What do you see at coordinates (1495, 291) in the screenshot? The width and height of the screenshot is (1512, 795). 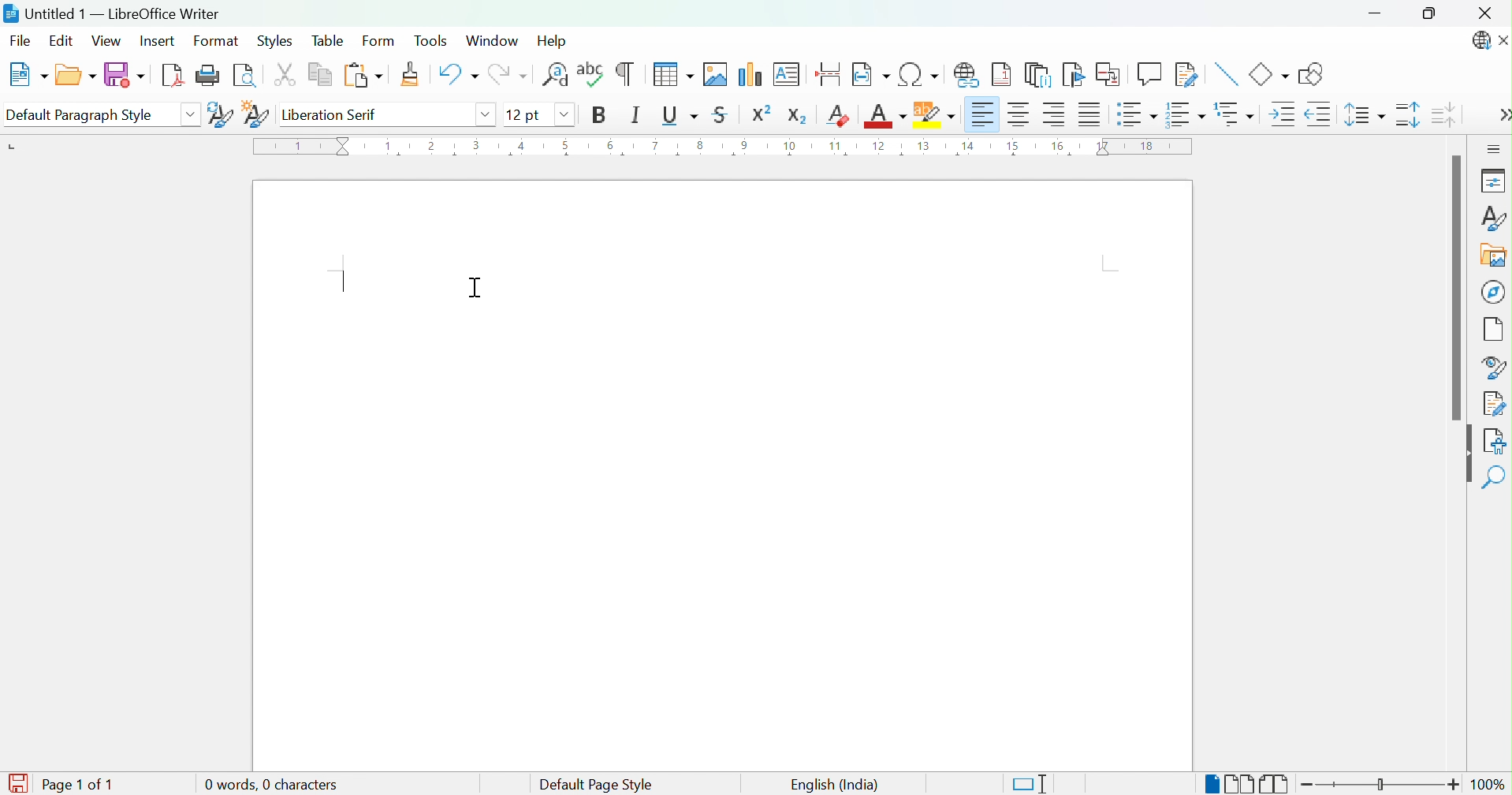 I see `Navigator` at bounding box center [1495, 291].